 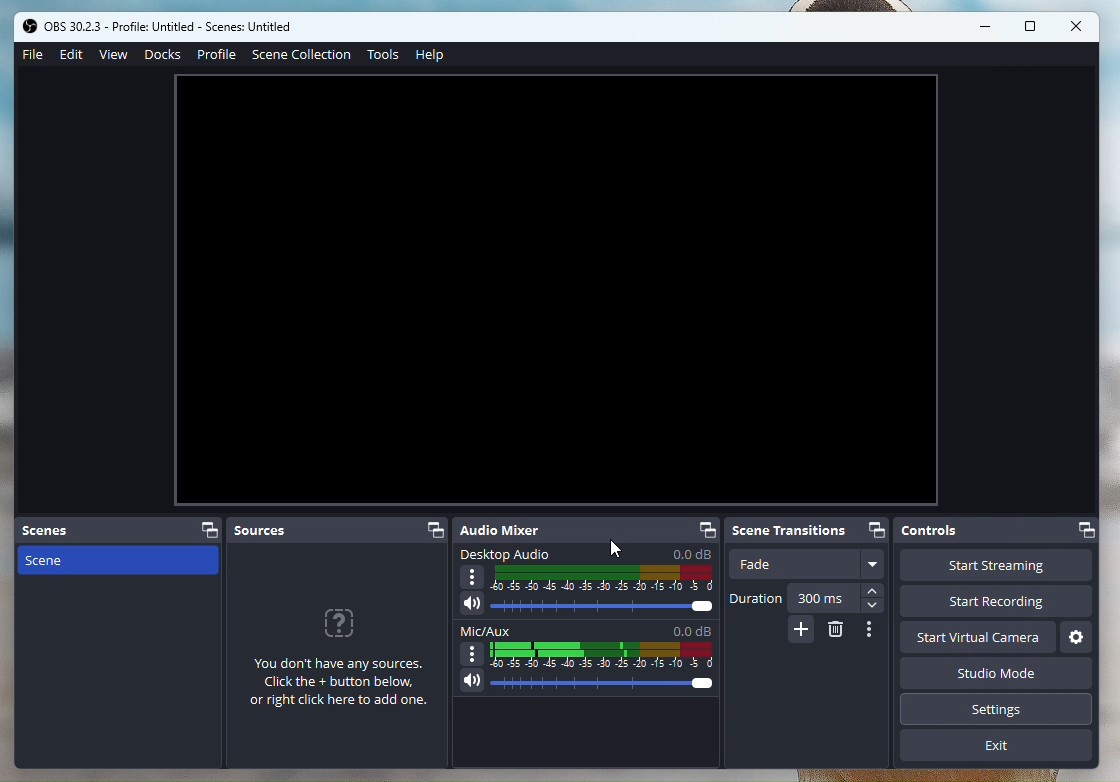 What do you see at coordinates (985, 27) in the screenshot?
I see `Minimize` at bounding box center [985, 27].